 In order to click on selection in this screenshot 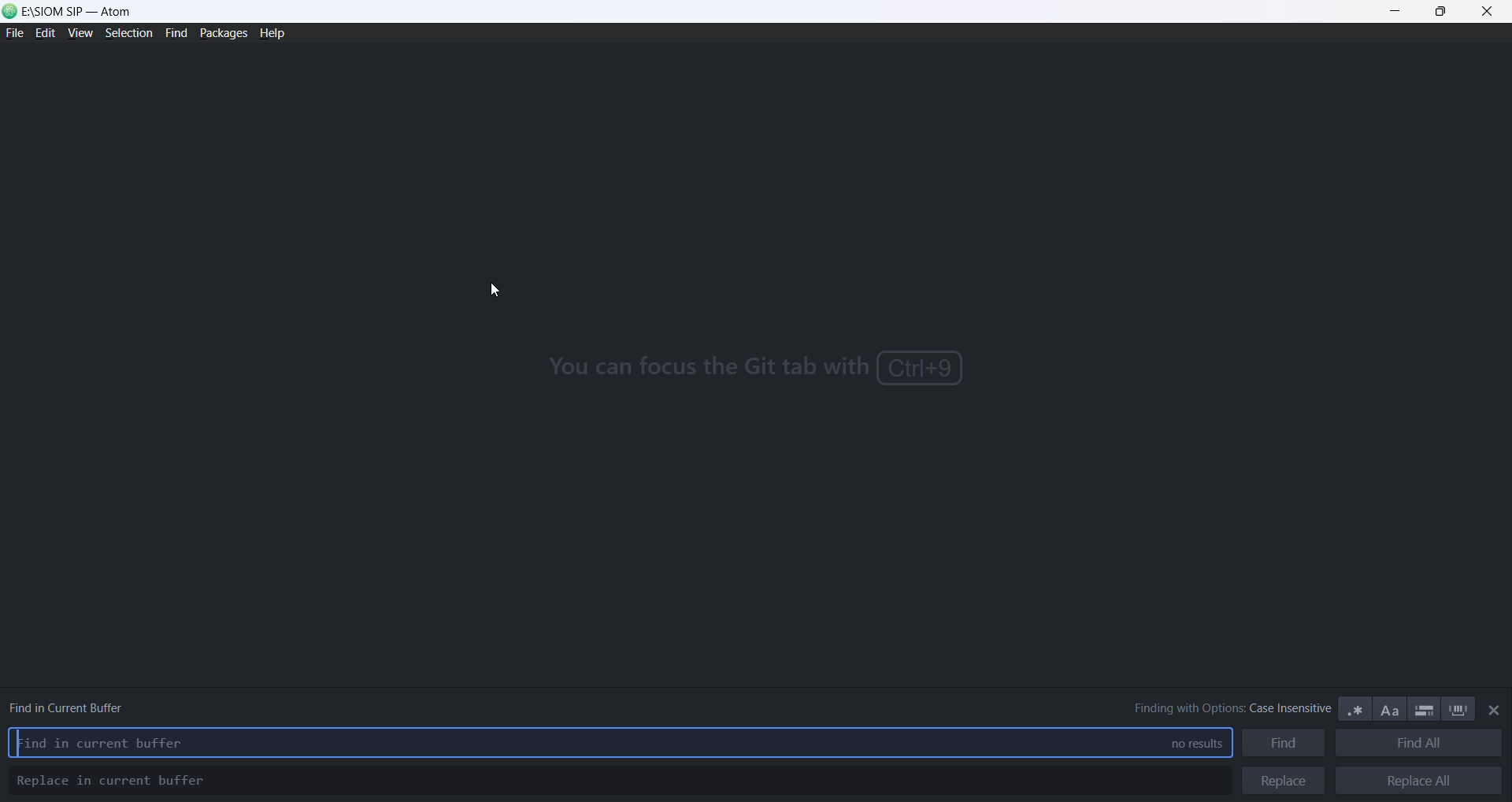, I will do `click(127, 35)`.